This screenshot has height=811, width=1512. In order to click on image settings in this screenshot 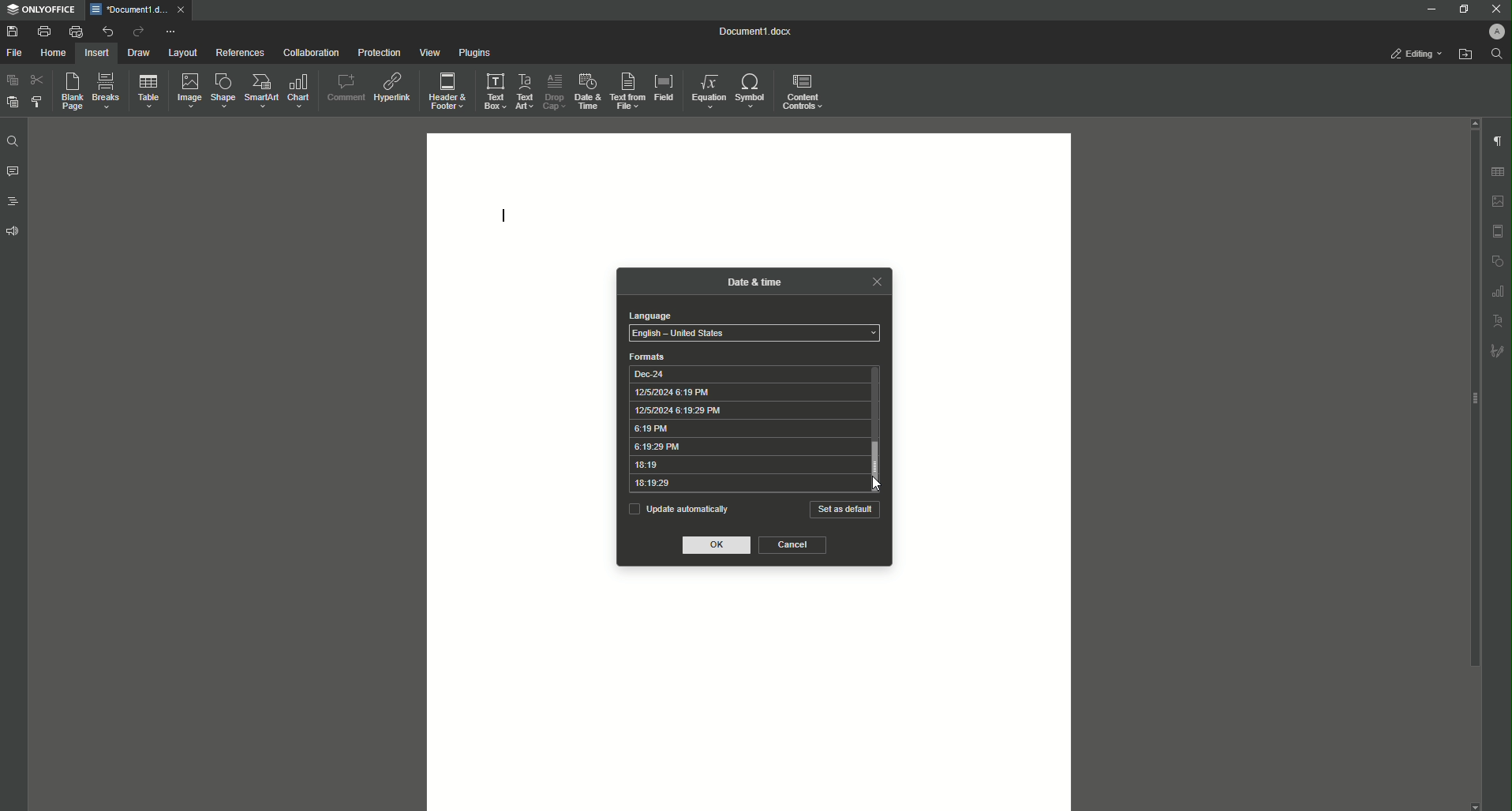, I will do `click(1499, 201)`.